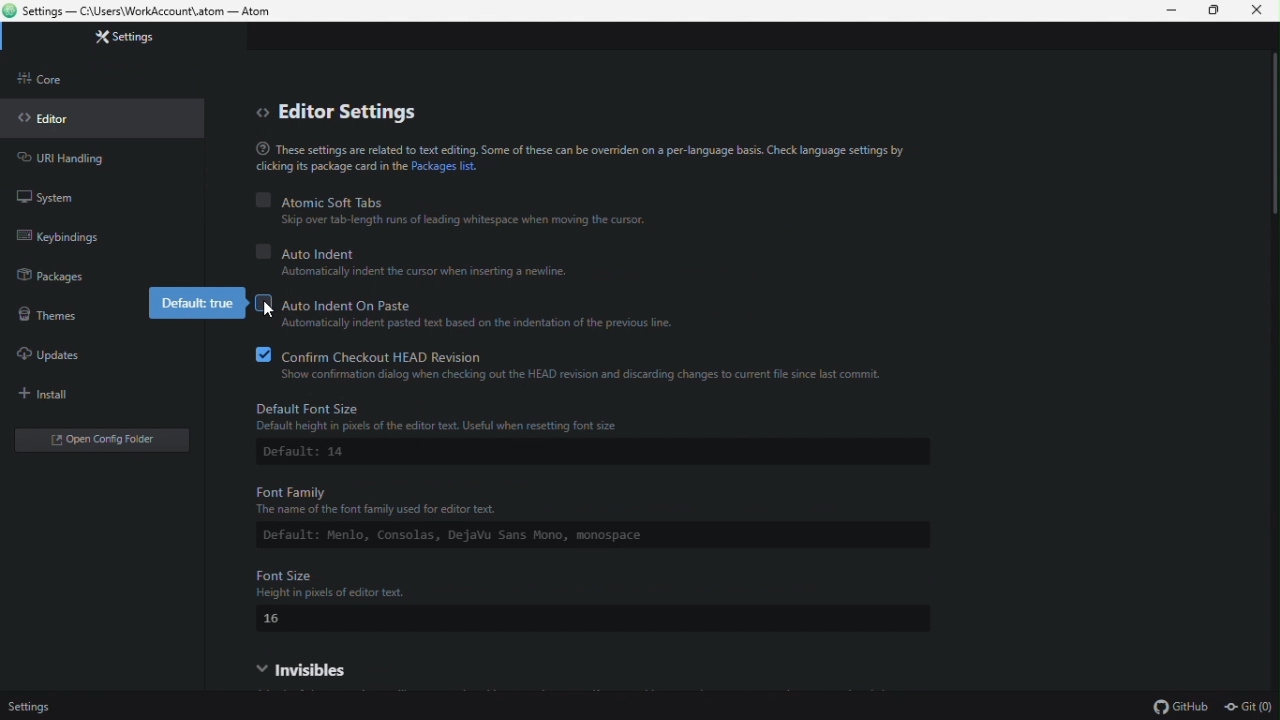 The image size is (1280, 720). I want to click on 16, so click(279, 620).